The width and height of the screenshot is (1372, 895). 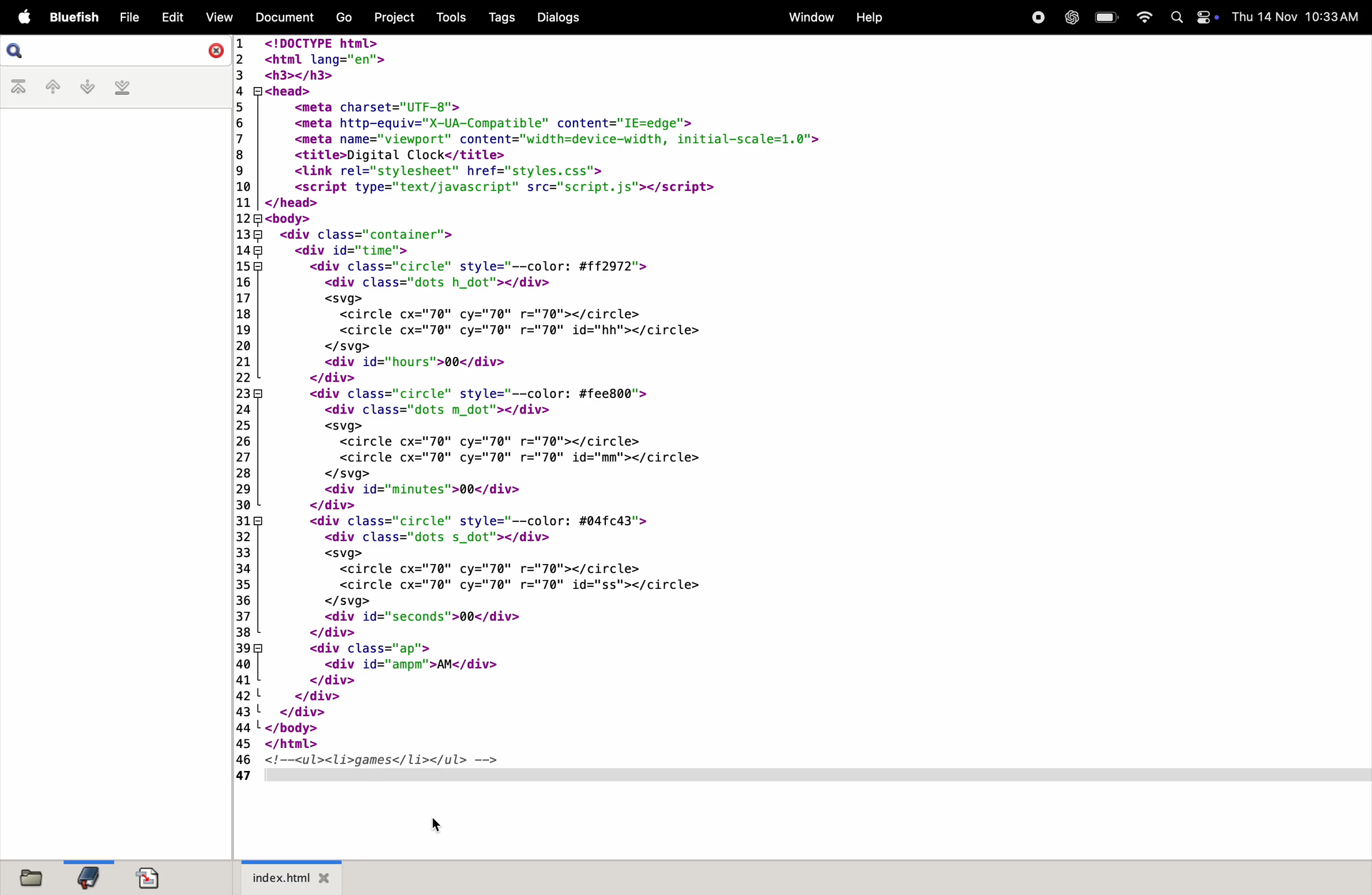 What do you see at coordinates (435, 826) in the screenshot?
I see `Cursor` at bounding box center [435, 826].